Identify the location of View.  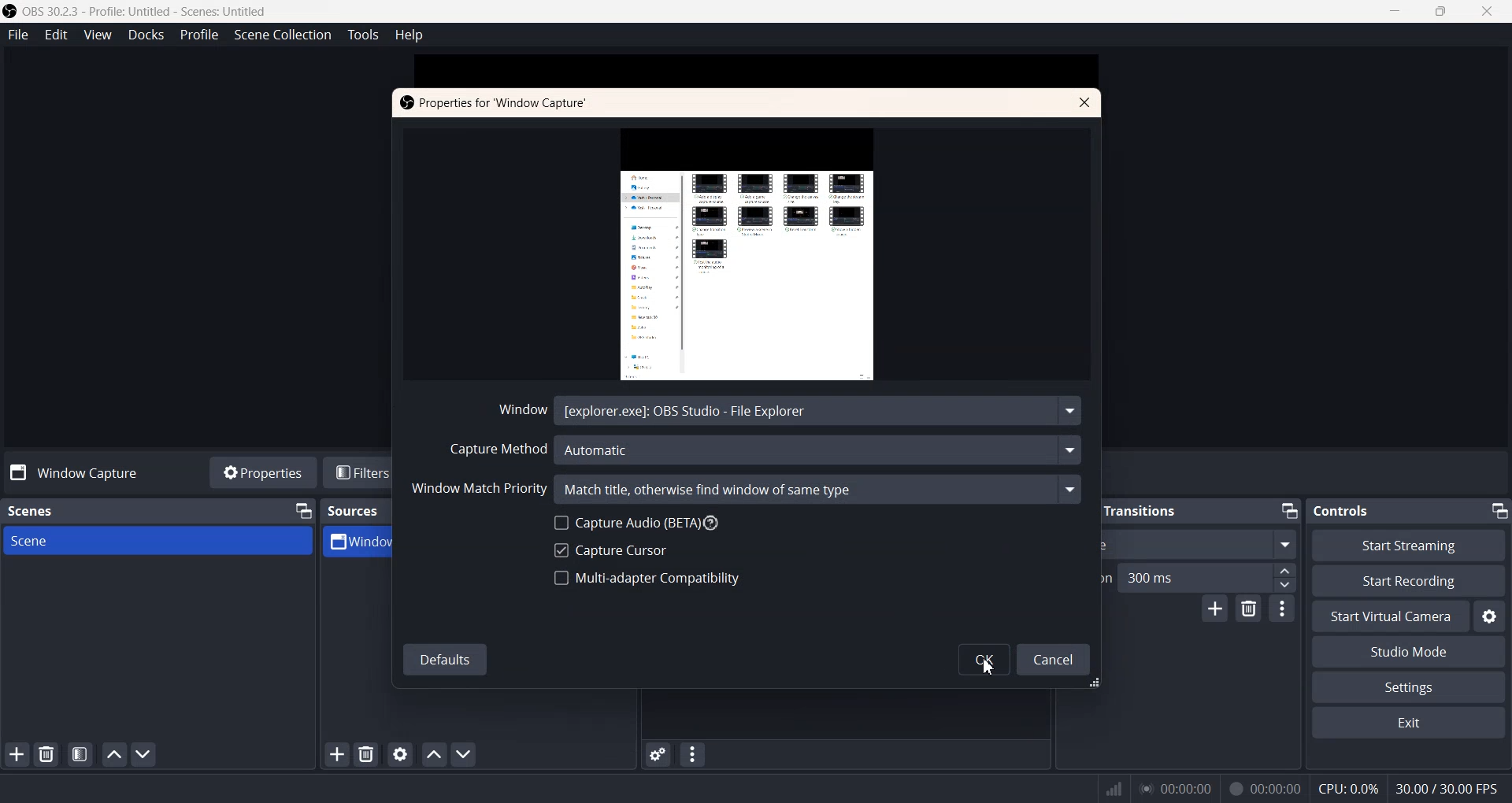
(98, 35).